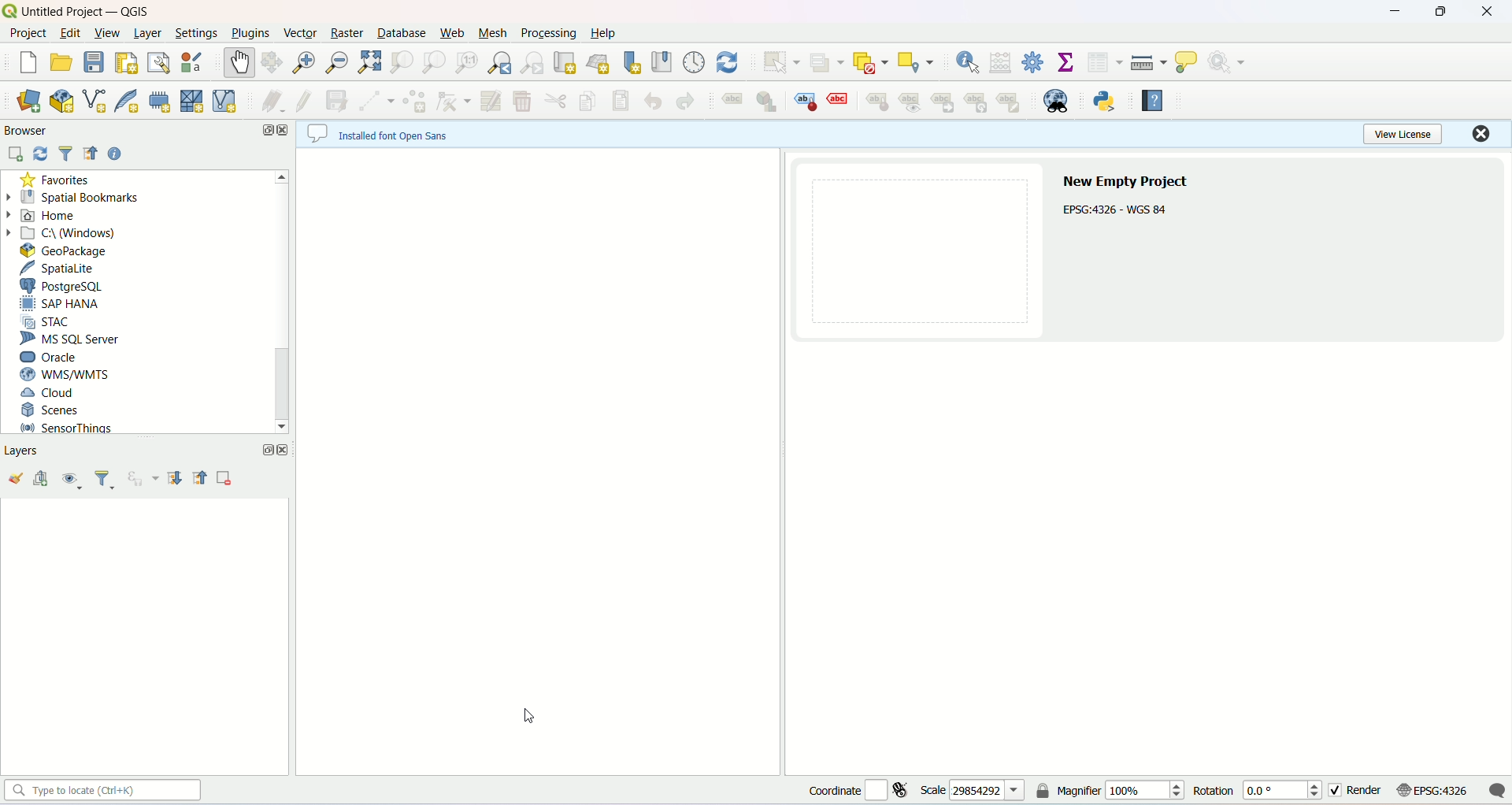  What do you see at coordinates (584, 99) in the screenshot?
I see `copy` at bounding box center [584, 99].